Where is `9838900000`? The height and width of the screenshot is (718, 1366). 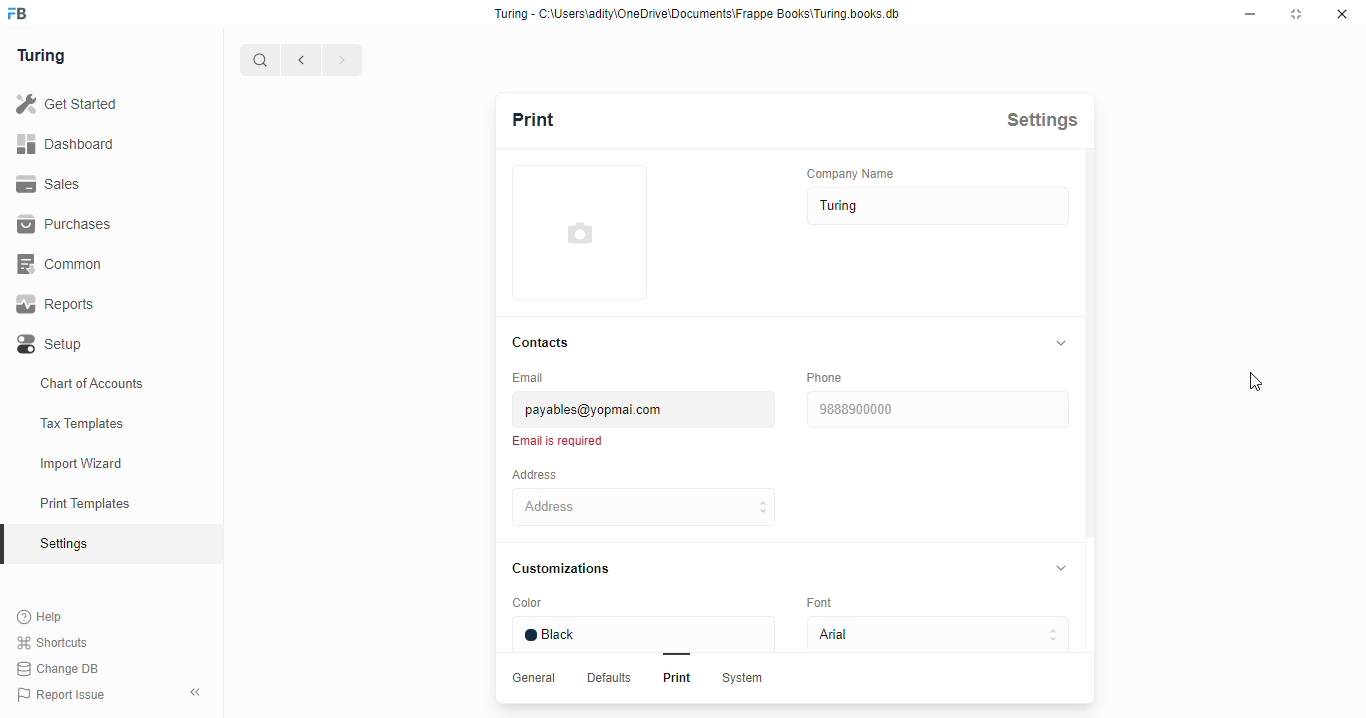 9838900000 is located at coordinates (939, 409).